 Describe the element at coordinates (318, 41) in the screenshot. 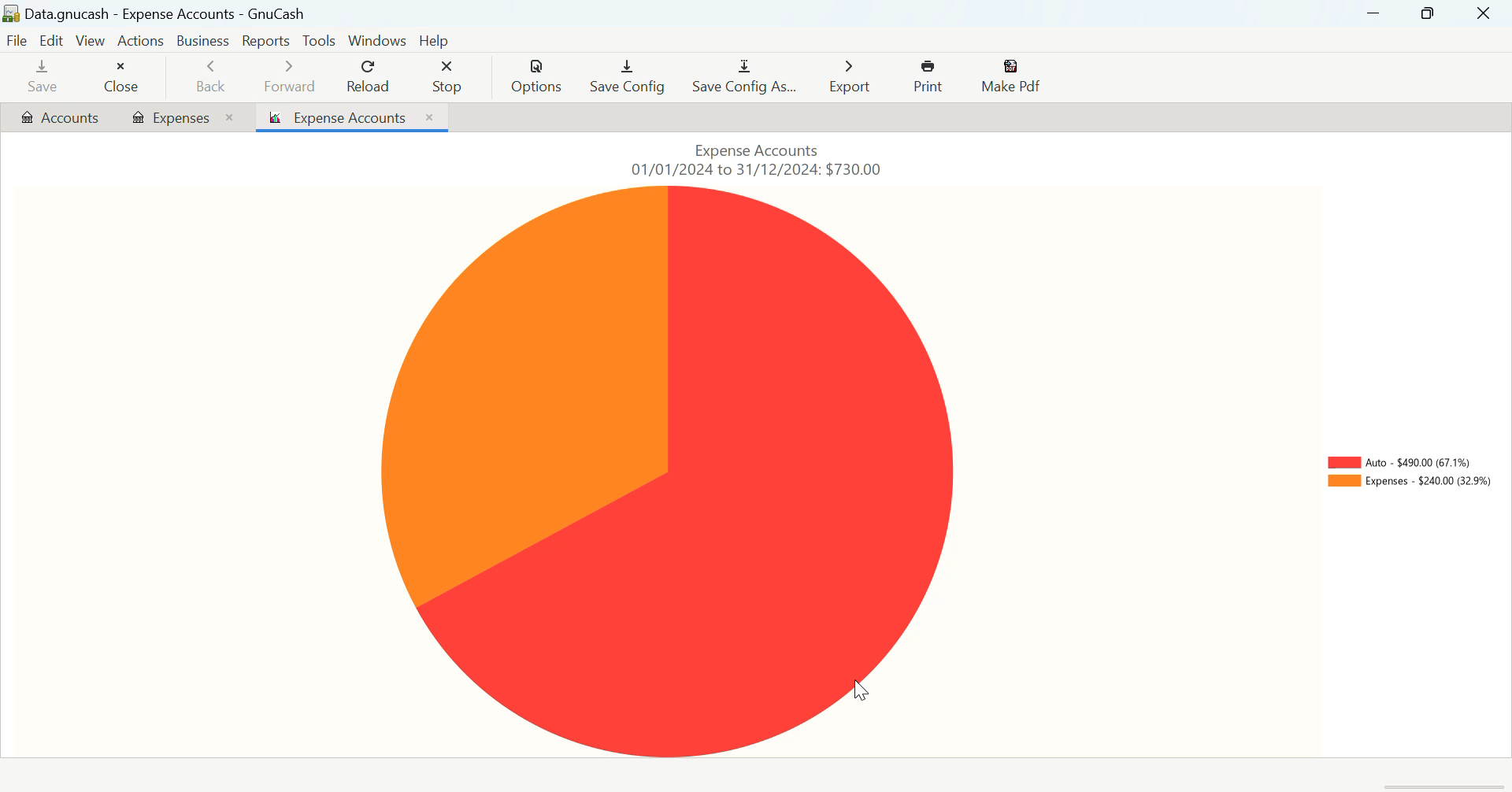

I see `Tools` at that location.